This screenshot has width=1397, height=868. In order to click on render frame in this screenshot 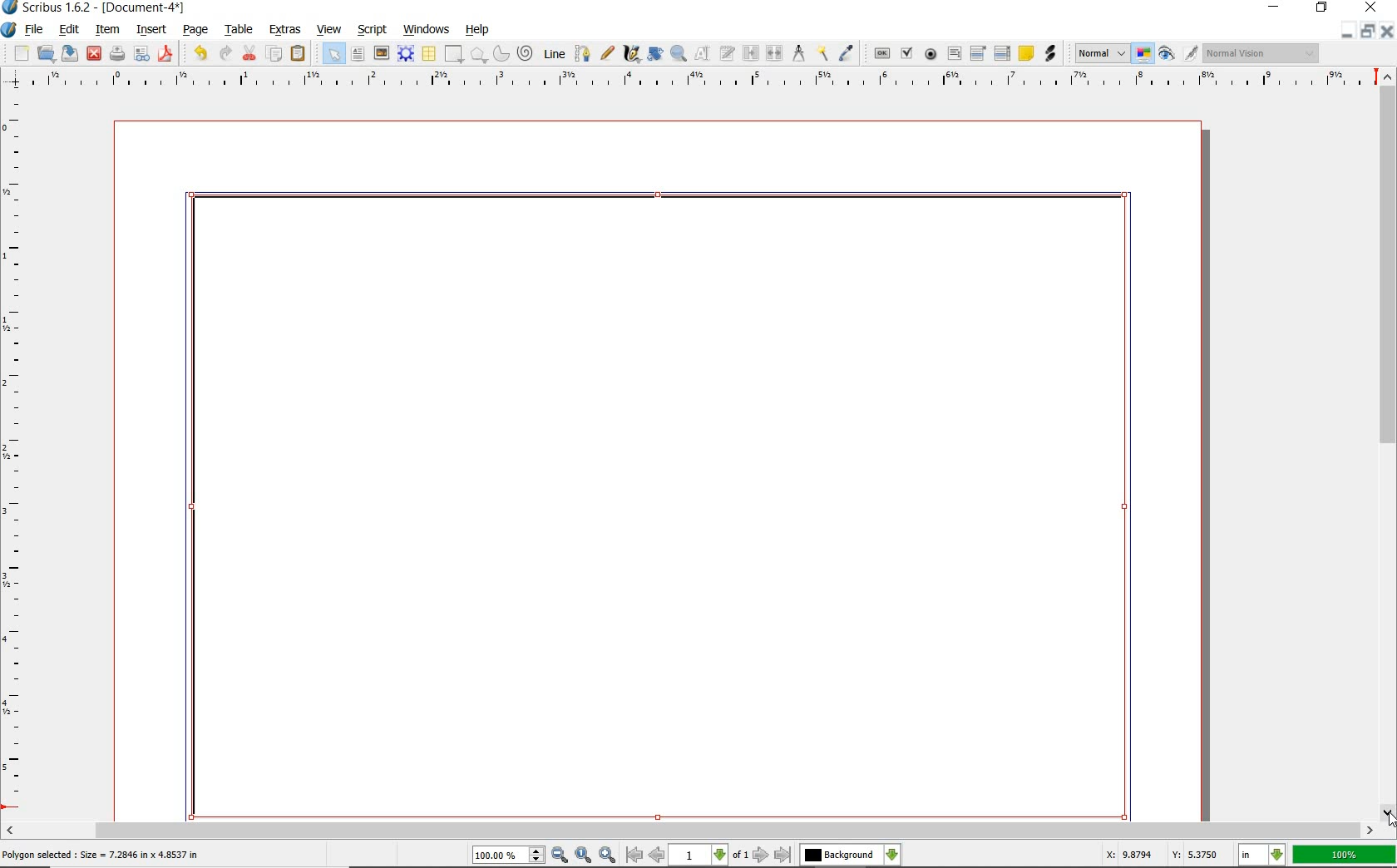, I will do `click(407, 55)`.